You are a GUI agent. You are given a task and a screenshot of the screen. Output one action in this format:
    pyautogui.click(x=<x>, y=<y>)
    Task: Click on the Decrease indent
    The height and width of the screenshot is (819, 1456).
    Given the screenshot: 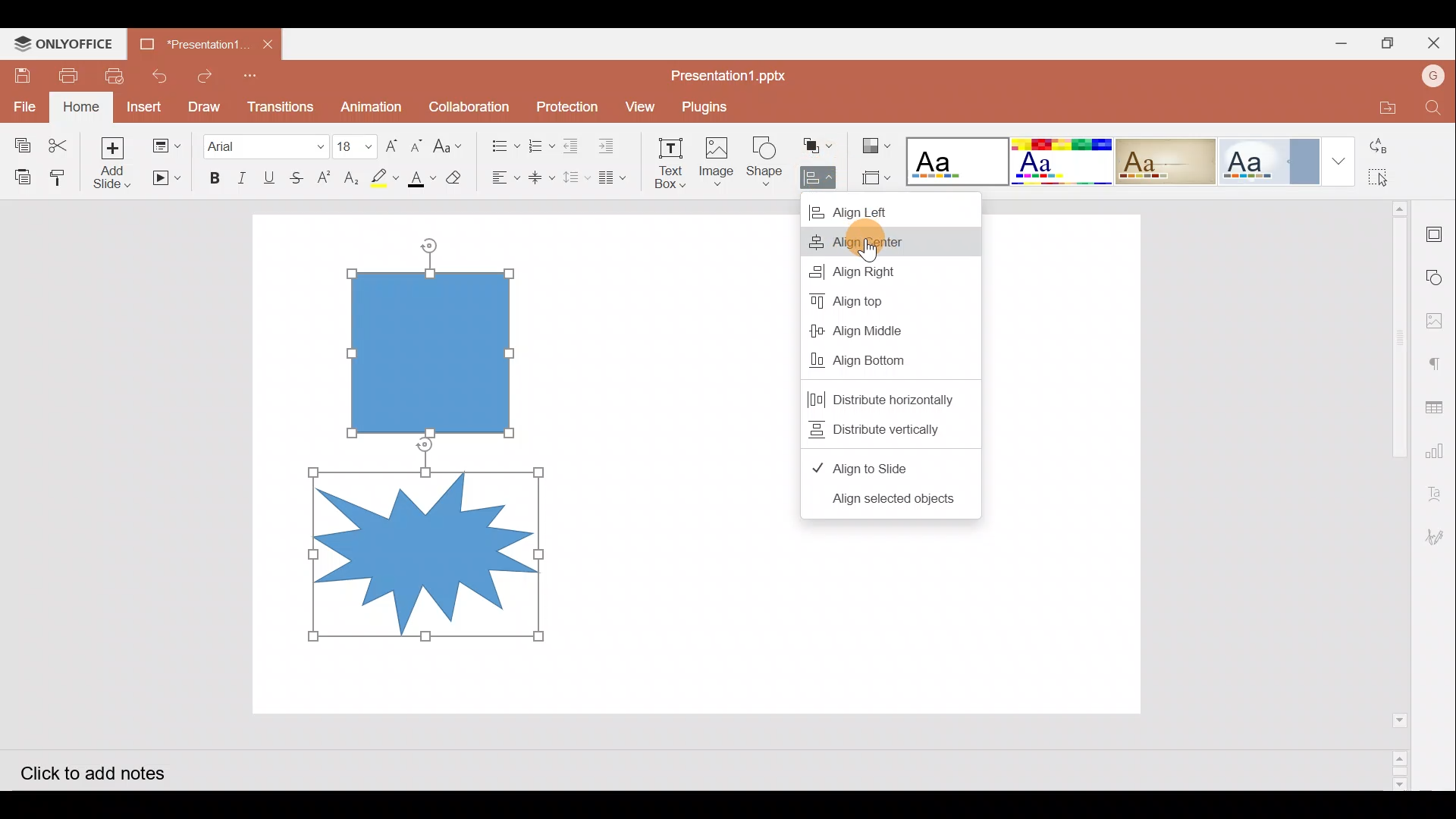 What is the action you would take?
    pyautogui.click(x=573, y=143)
    